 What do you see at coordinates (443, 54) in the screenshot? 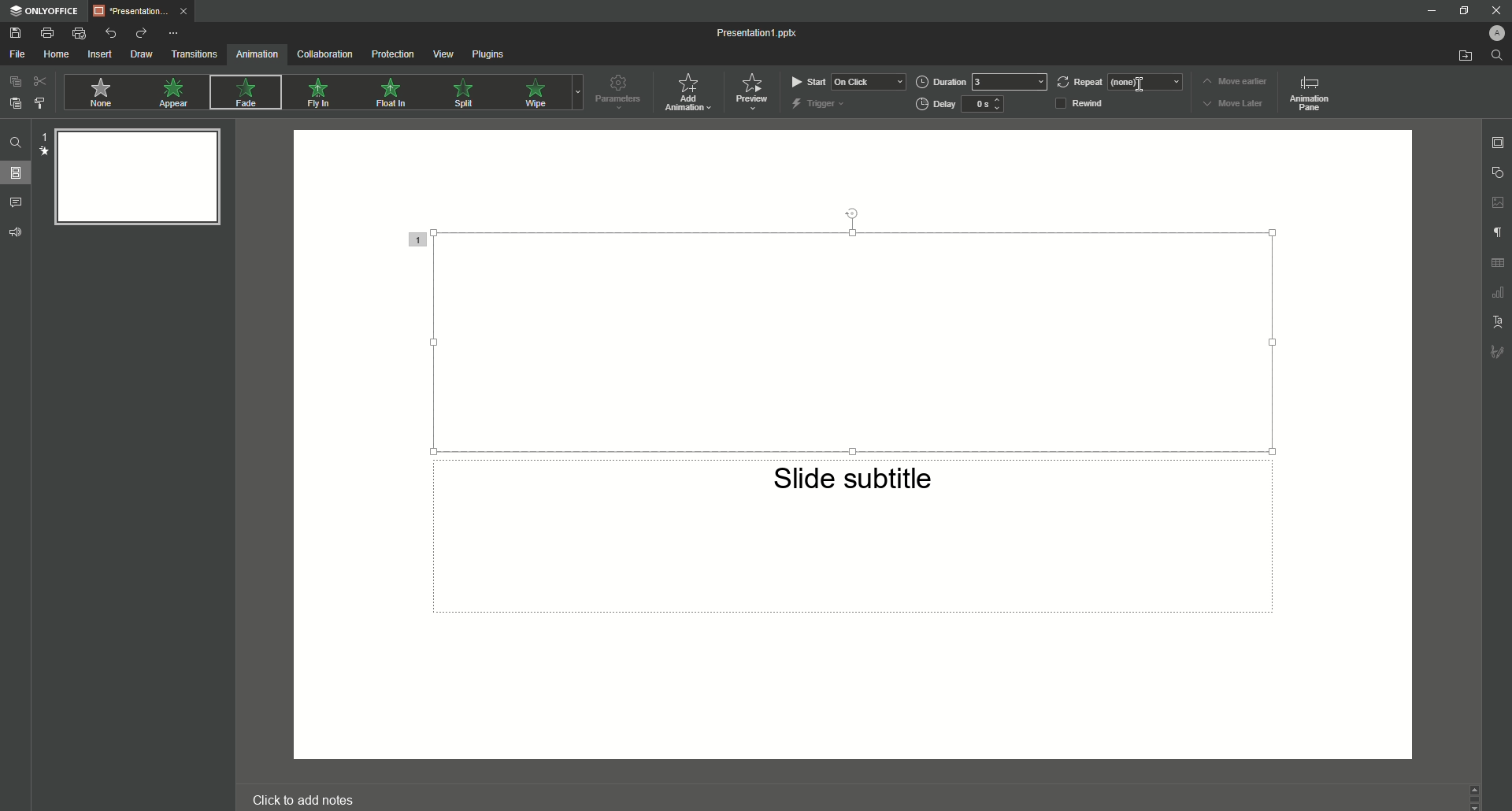
I see `View` at bounding box center [443, 54].